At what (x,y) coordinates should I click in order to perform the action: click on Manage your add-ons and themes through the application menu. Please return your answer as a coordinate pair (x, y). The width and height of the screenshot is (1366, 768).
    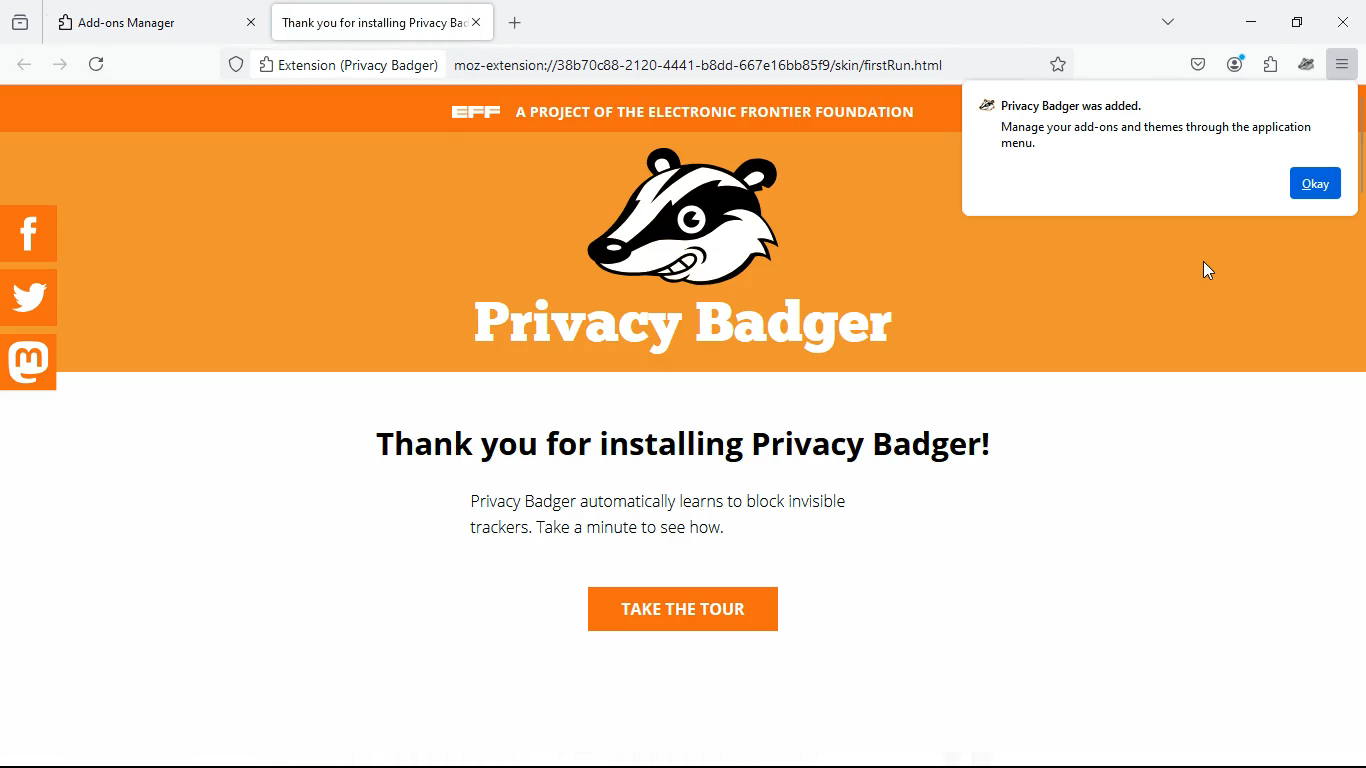
    Looking at the image, I should click on (1153, 138).